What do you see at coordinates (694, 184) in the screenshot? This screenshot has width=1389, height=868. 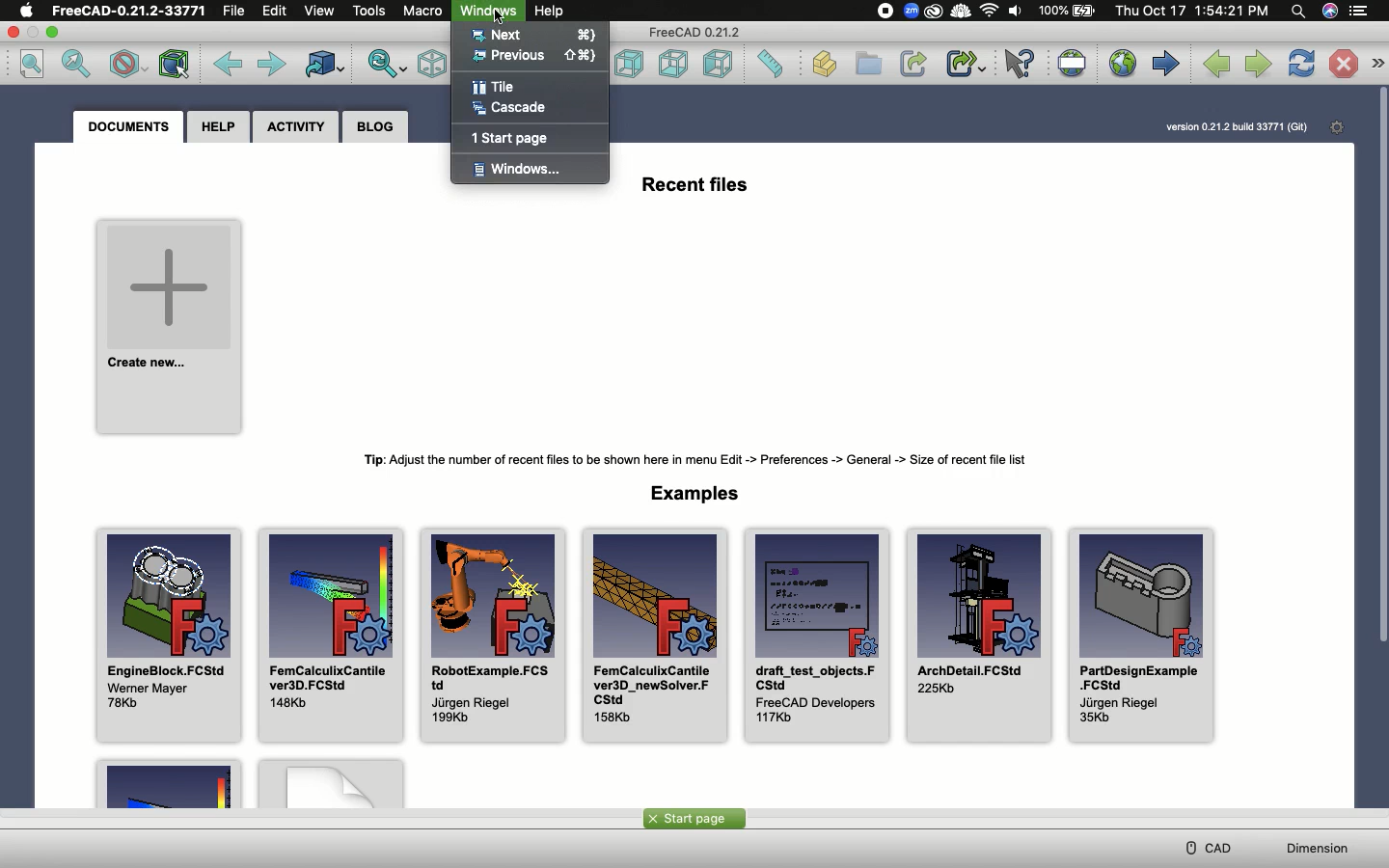 I see `Recent files` at bounding box center [694, 184].